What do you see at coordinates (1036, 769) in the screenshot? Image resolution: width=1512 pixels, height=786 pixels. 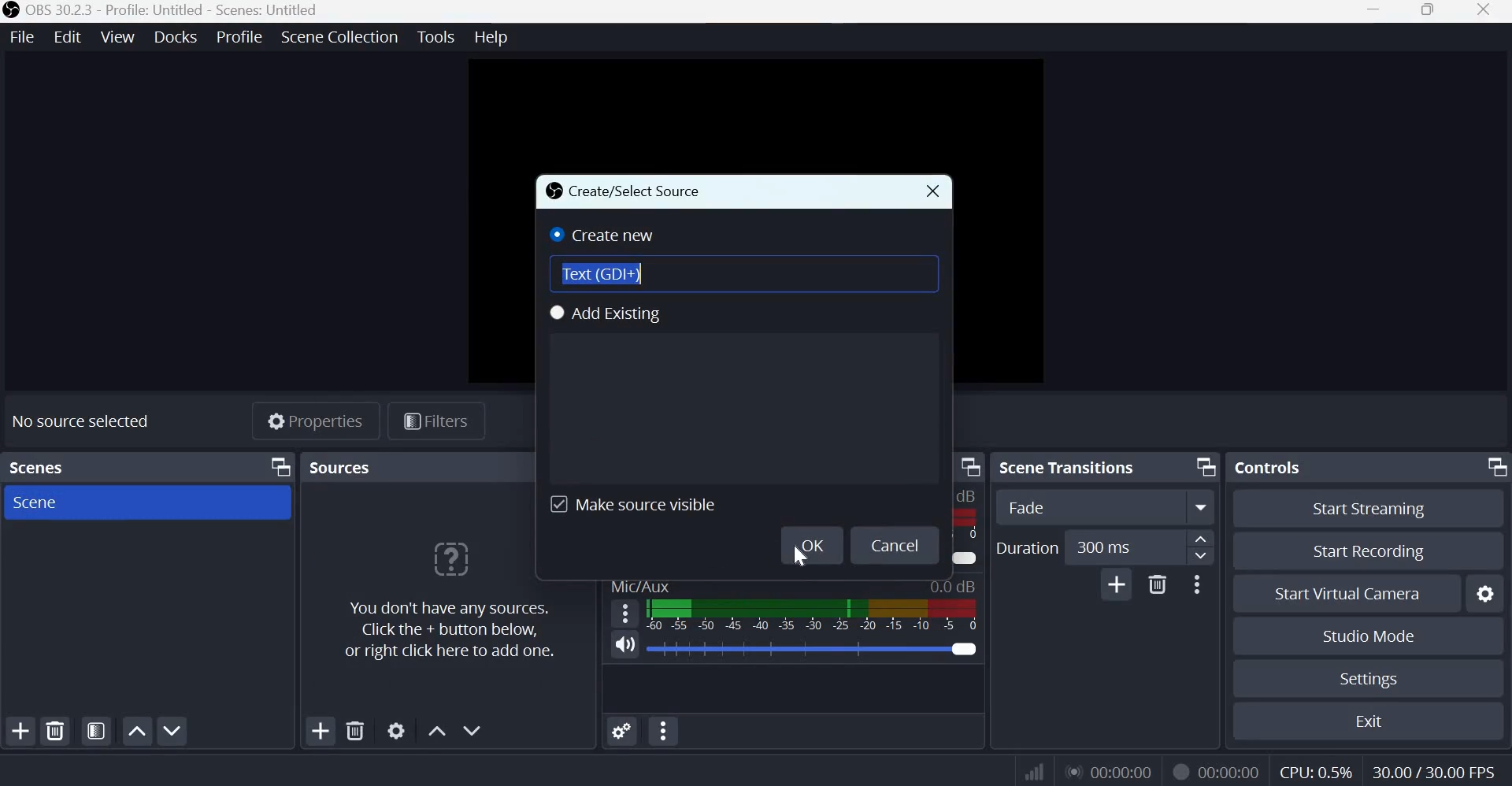 I see `Connection Status Indicator` at bounding box center [1036, 769].